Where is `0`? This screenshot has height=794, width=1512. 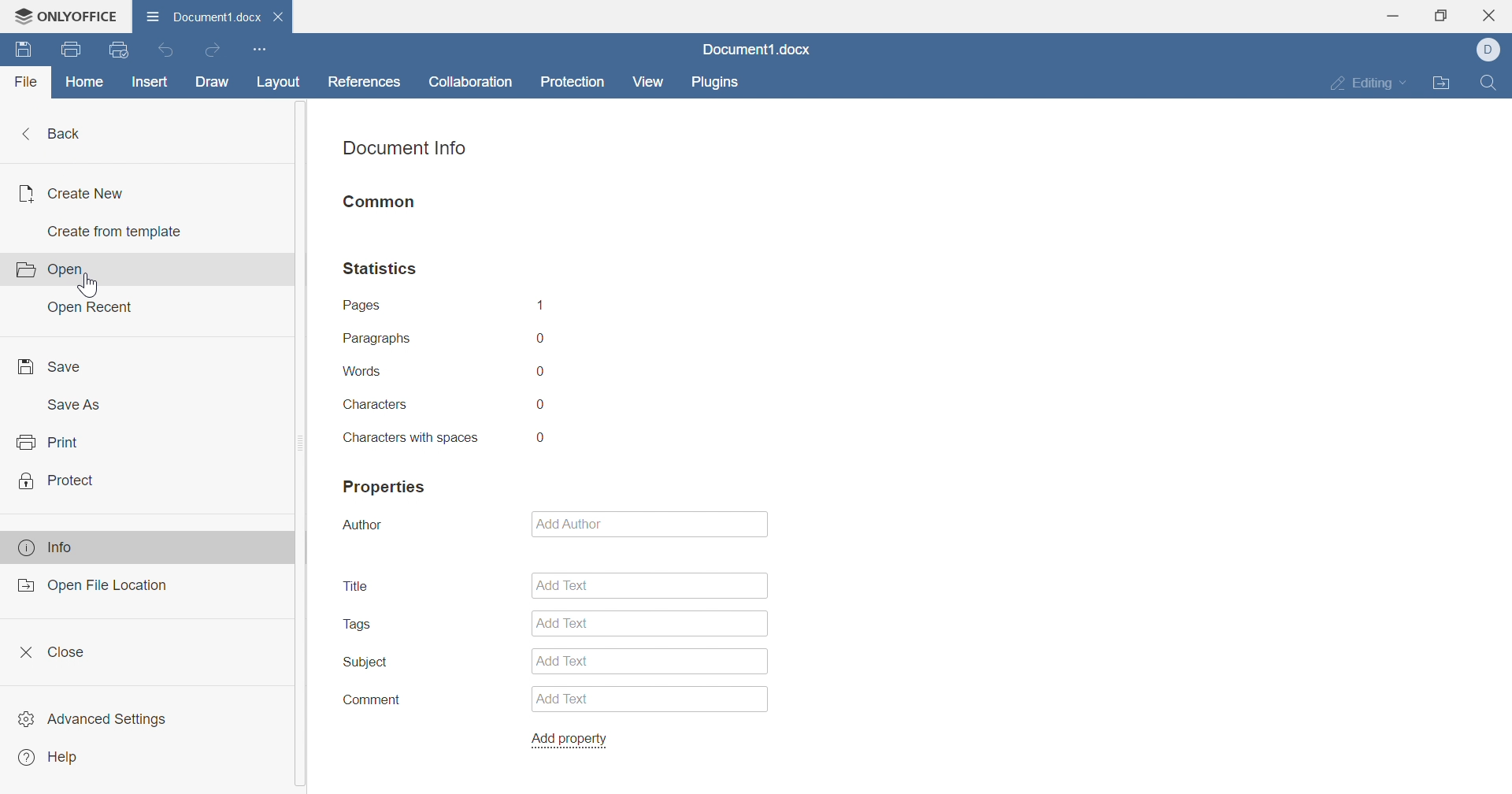 0 is located at coordinates (542, 405).